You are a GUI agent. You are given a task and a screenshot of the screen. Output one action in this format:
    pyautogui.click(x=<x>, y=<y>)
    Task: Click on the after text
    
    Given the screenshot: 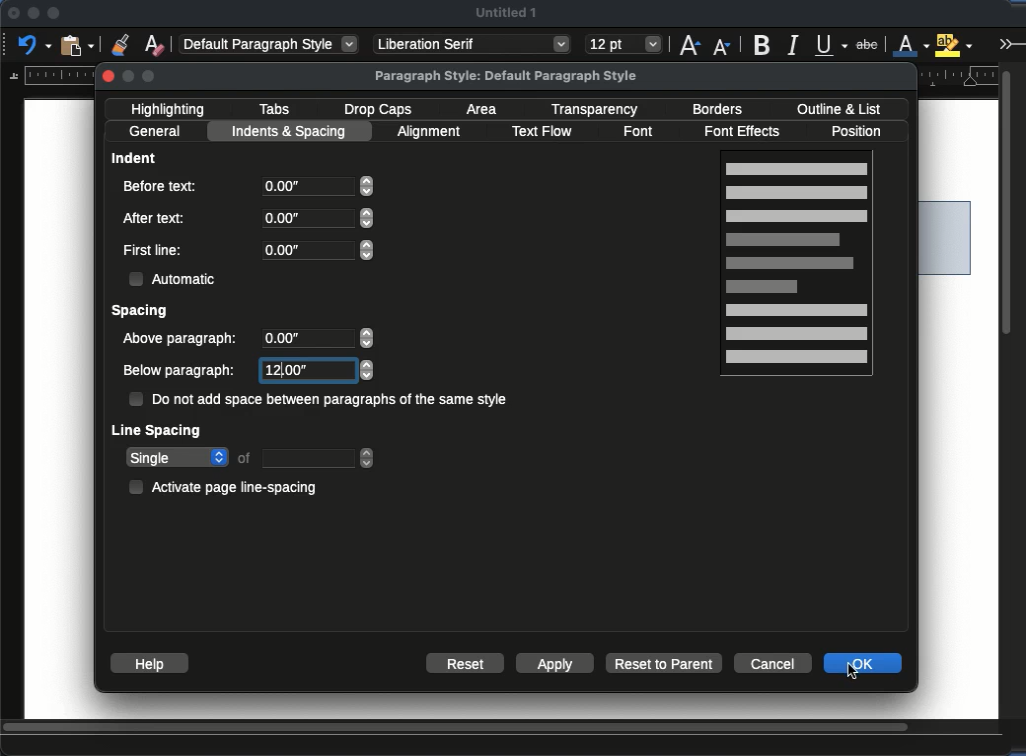 What is the action you would take?
    pyautogui.click(x=157, y=217)
    